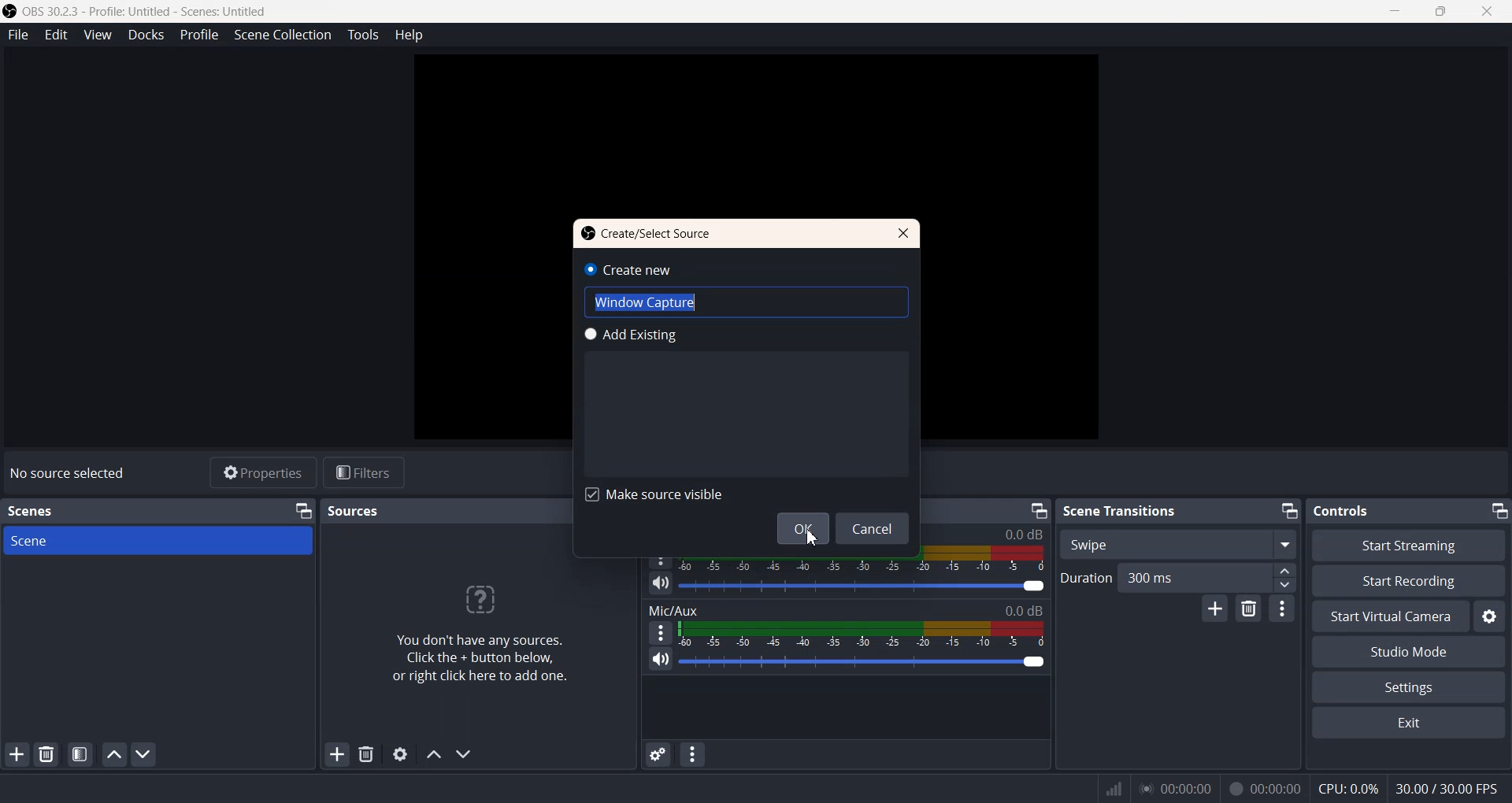  Describe the element at coordinates (661, 584) in the screenshot. I see `Mute/ Unmute` at that location.